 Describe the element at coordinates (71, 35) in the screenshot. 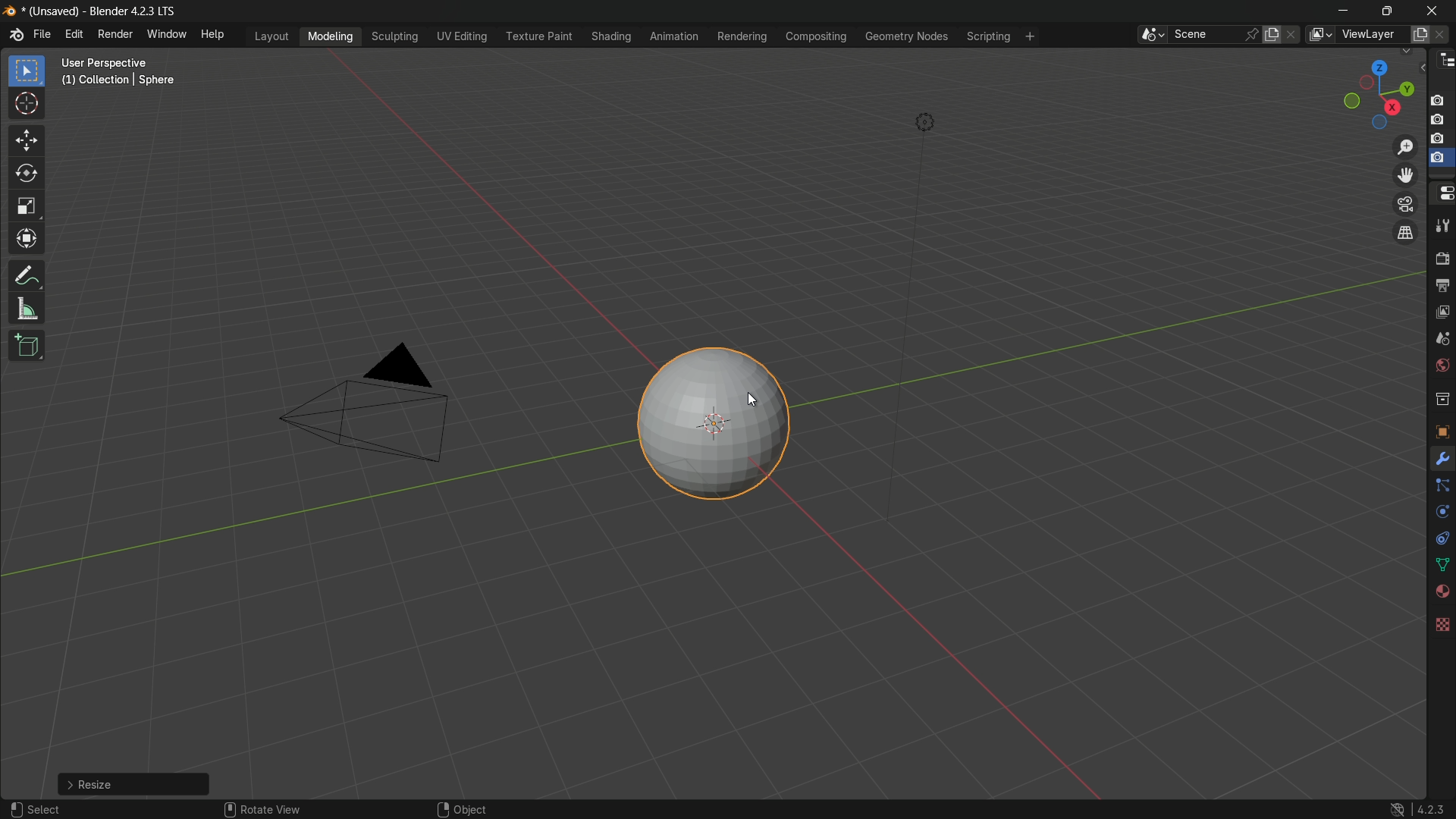

I see `edit menu` at that location.